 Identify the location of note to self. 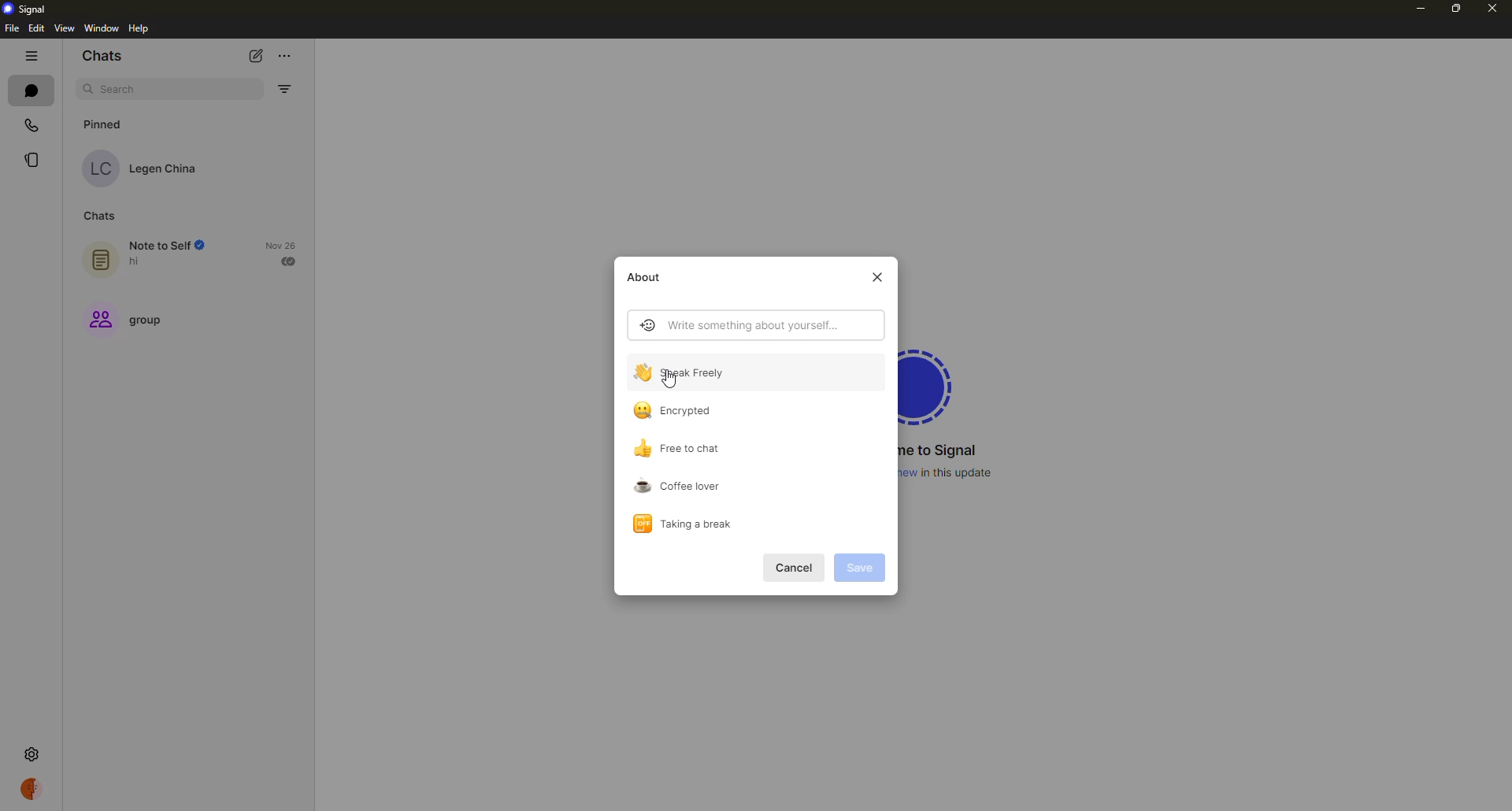
(150, 254).